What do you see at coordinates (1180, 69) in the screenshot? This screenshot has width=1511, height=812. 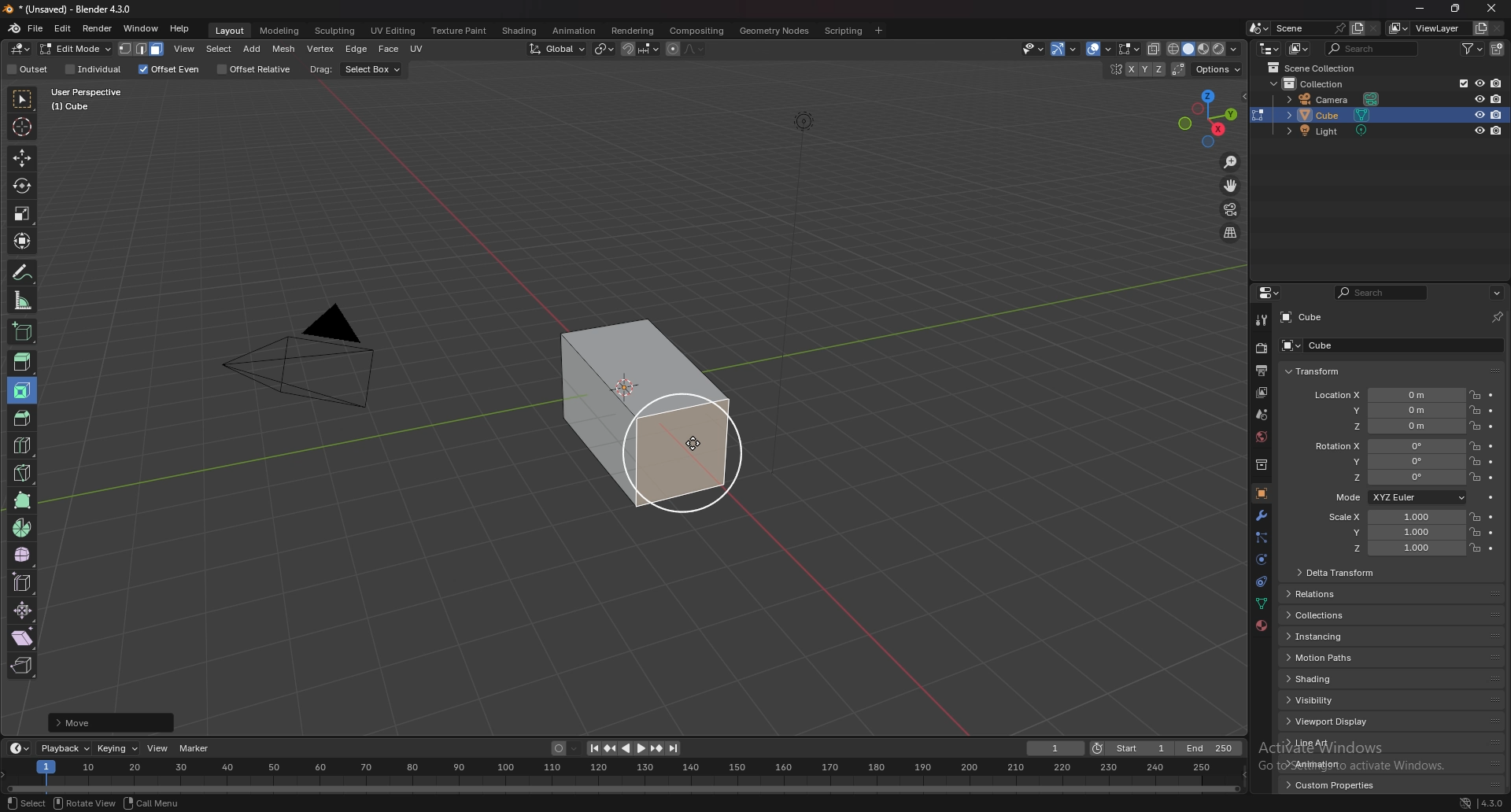 I see `auto merge vertices` at bounding box center [1180, 69].